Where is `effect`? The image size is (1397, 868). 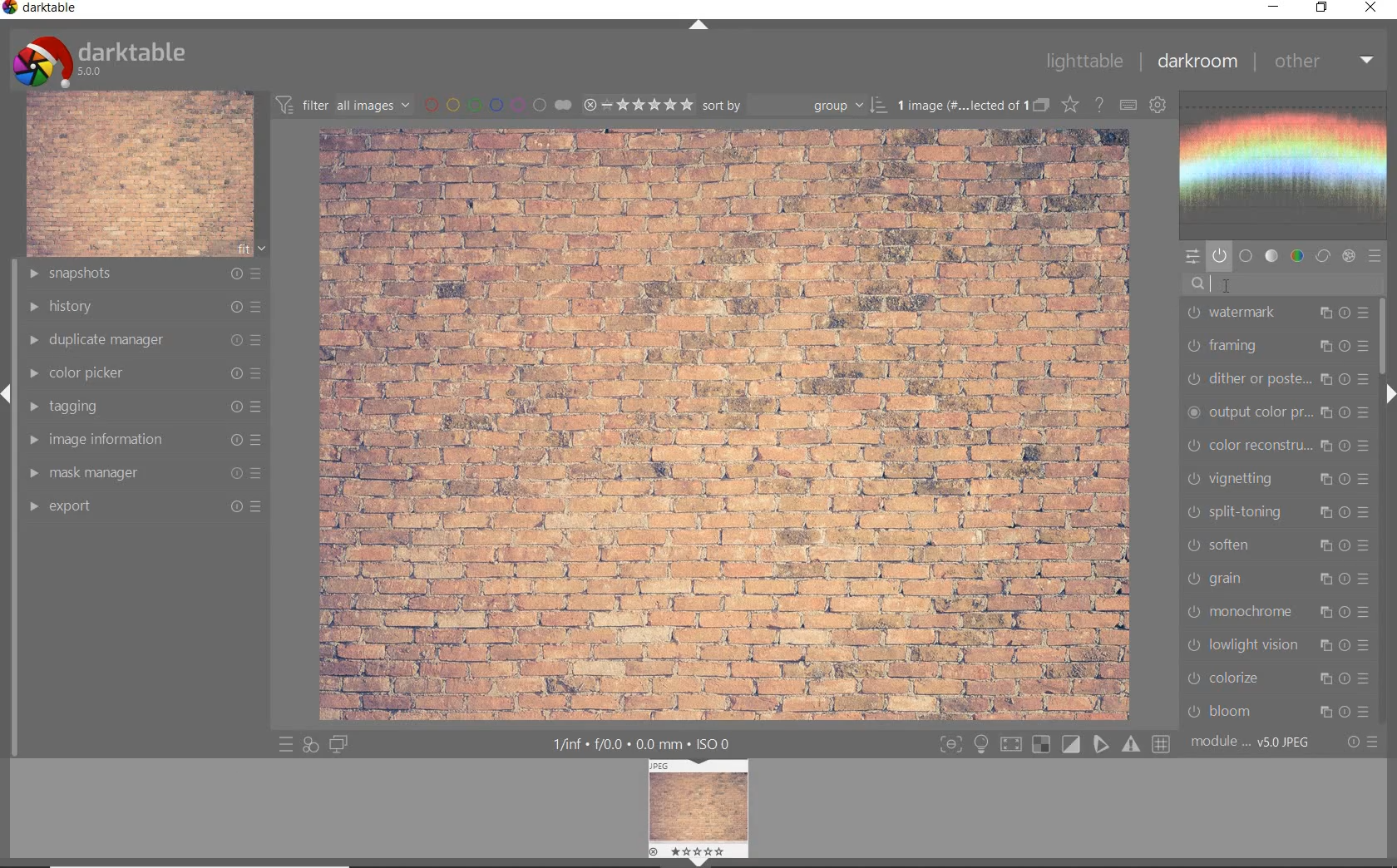
effect is located at coordinates (1349, 255).